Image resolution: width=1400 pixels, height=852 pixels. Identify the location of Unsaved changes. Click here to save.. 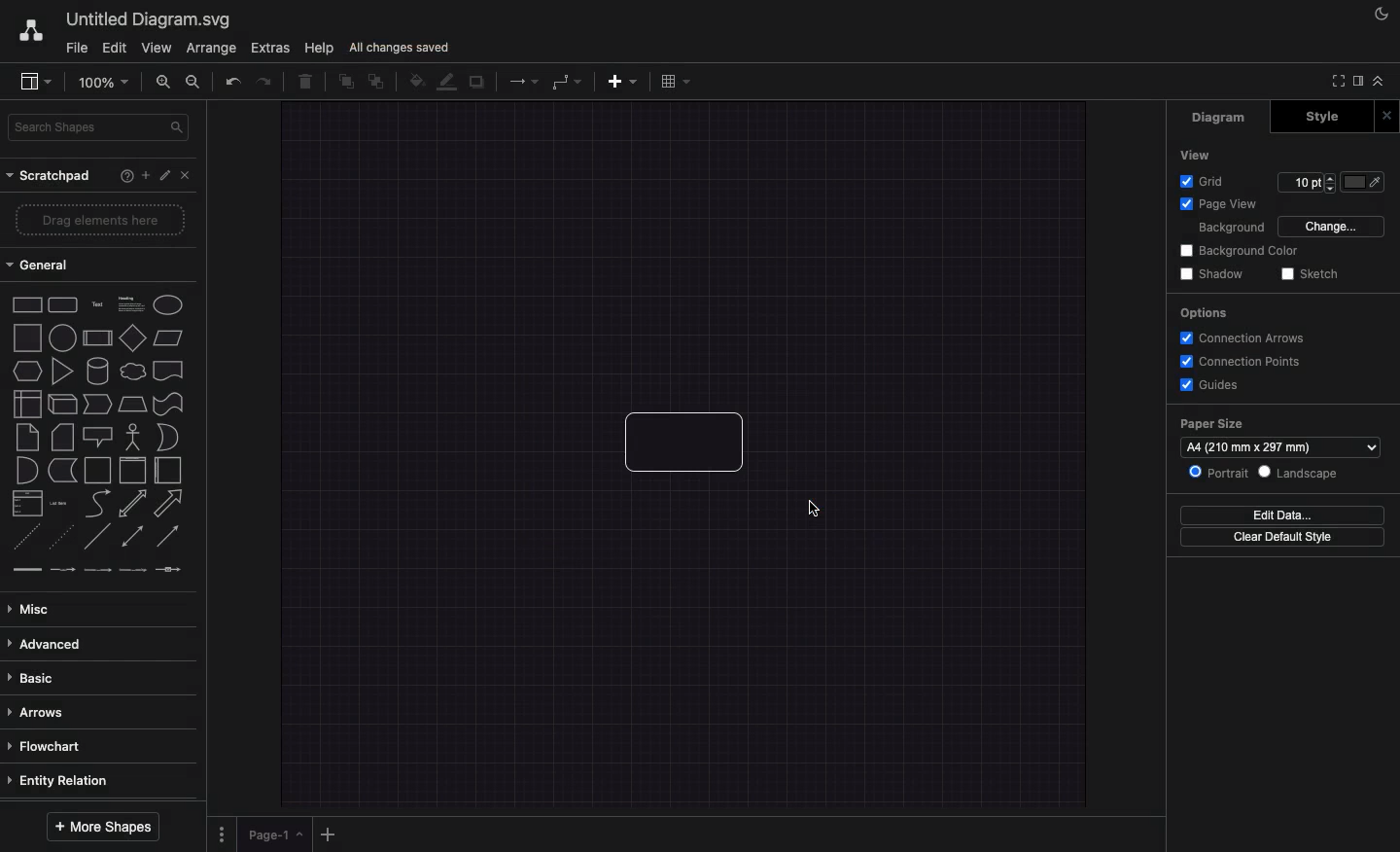
(470, 47).